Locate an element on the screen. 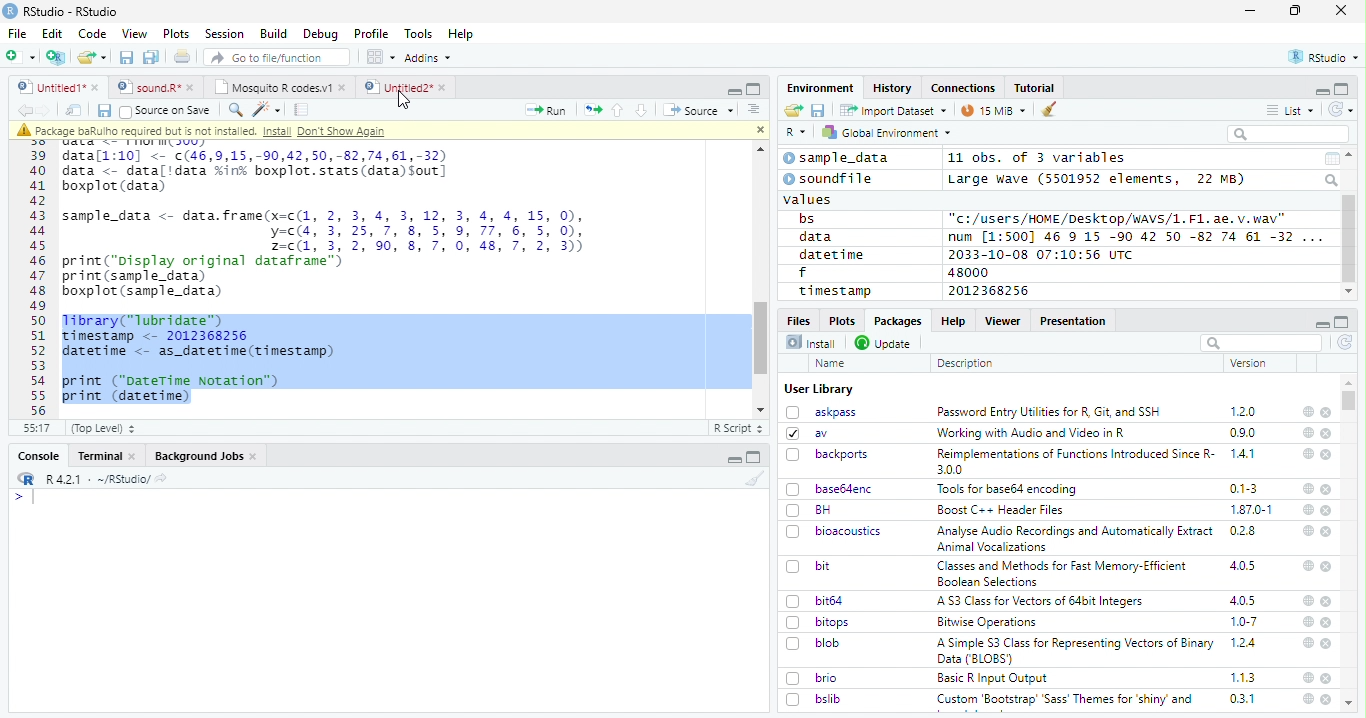 The height and width of the screenshot is (718, 1366). open an existing file is located at coordinates (91, 58).